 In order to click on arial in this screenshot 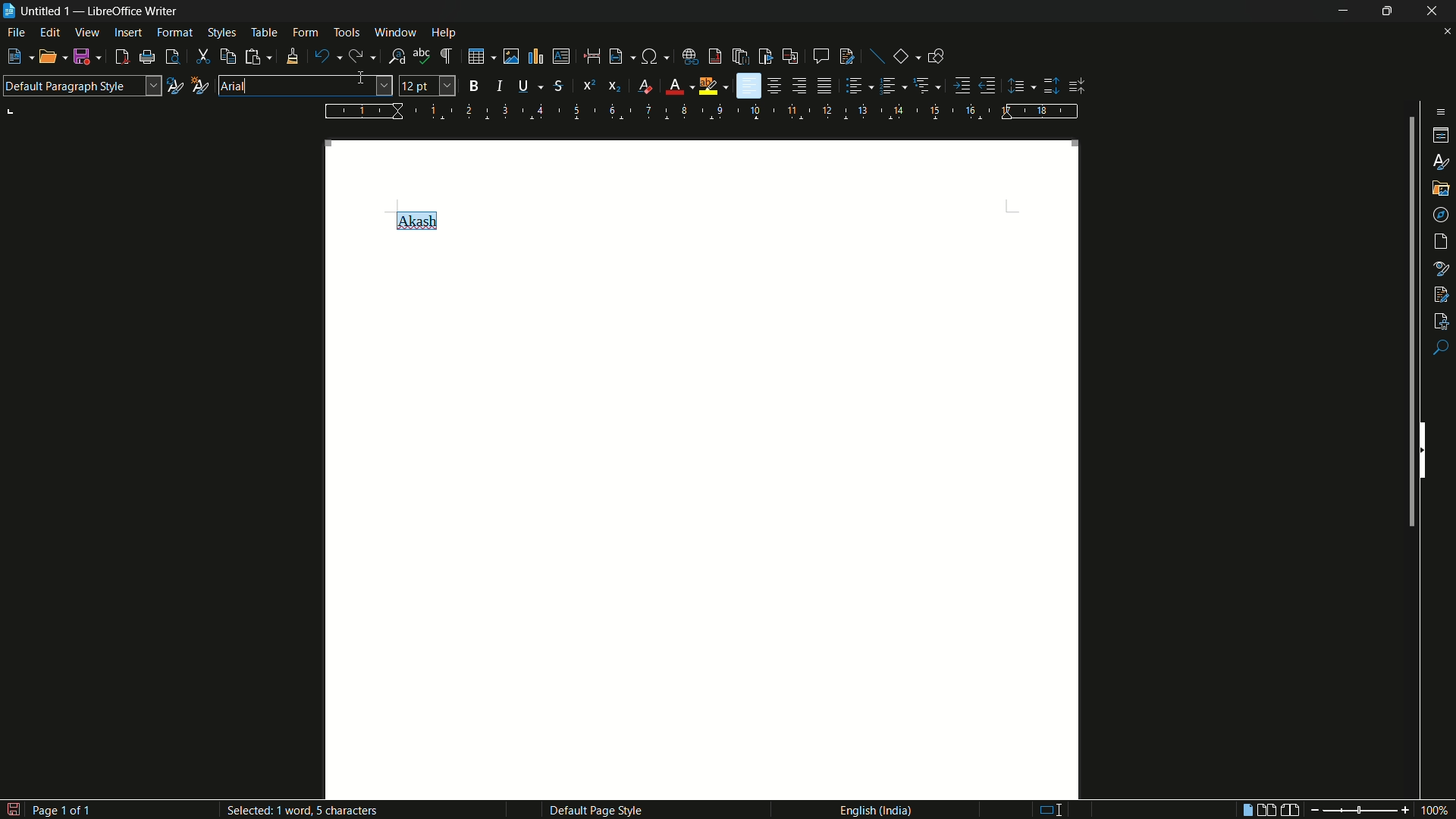, I will do `click(234, 86)`.